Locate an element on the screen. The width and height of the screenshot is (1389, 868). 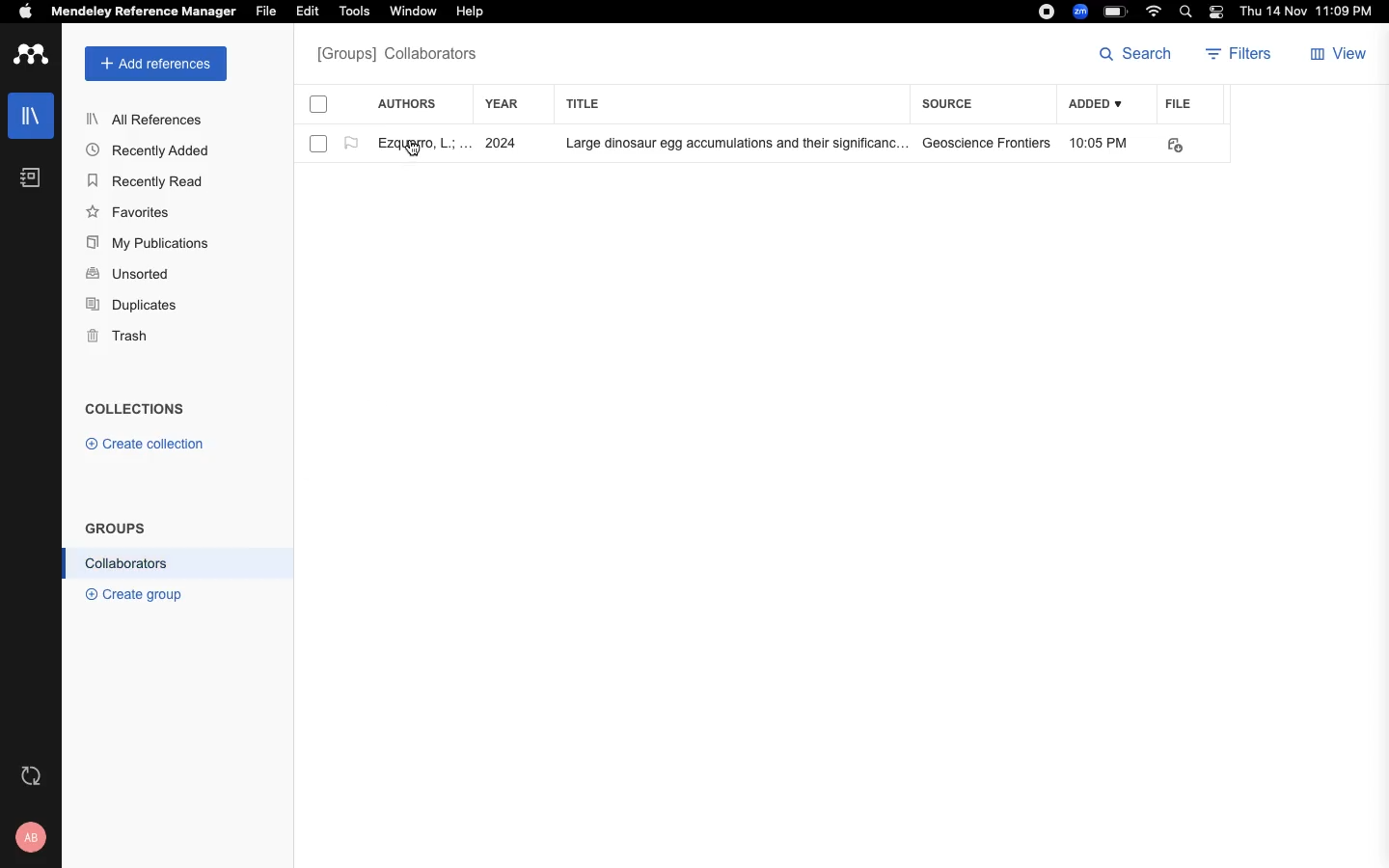
checkboxes is located at coordinates (311, 127).